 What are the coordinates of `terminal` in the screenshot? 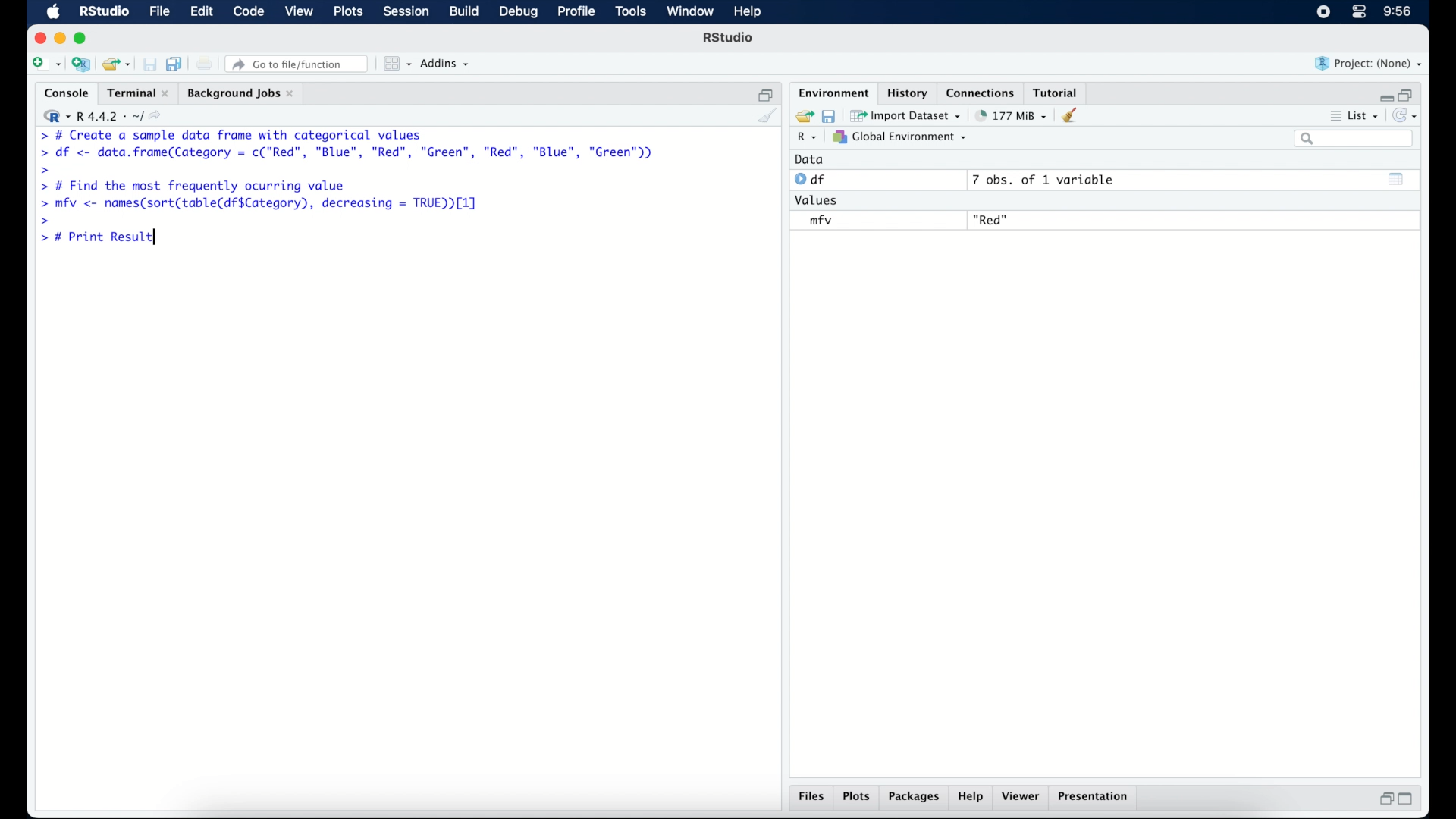 It's located at (136, 91).